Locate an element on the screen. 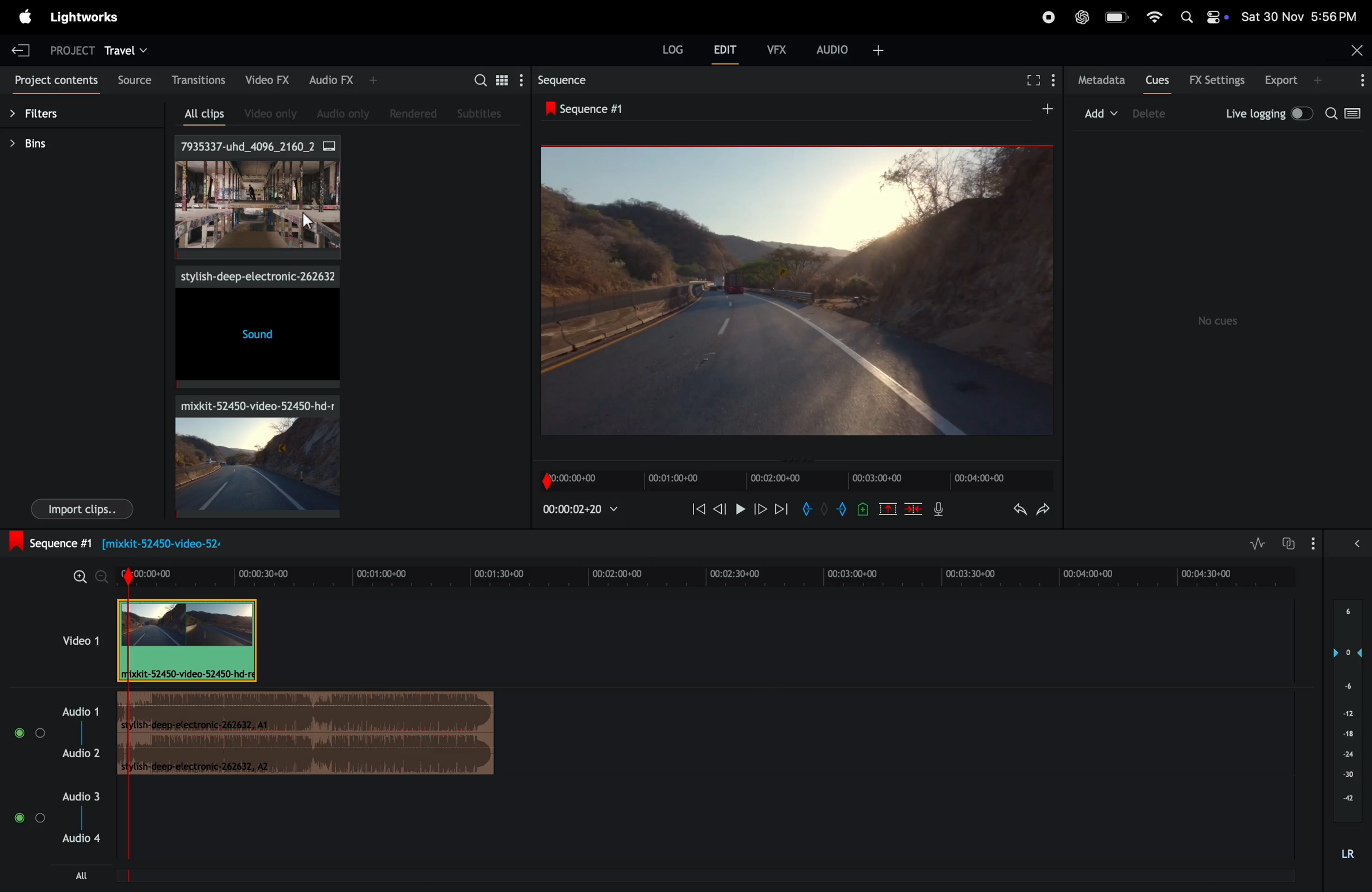 This screenshot has width=1372, height=892. video clips is located at coordinates (258, 199).